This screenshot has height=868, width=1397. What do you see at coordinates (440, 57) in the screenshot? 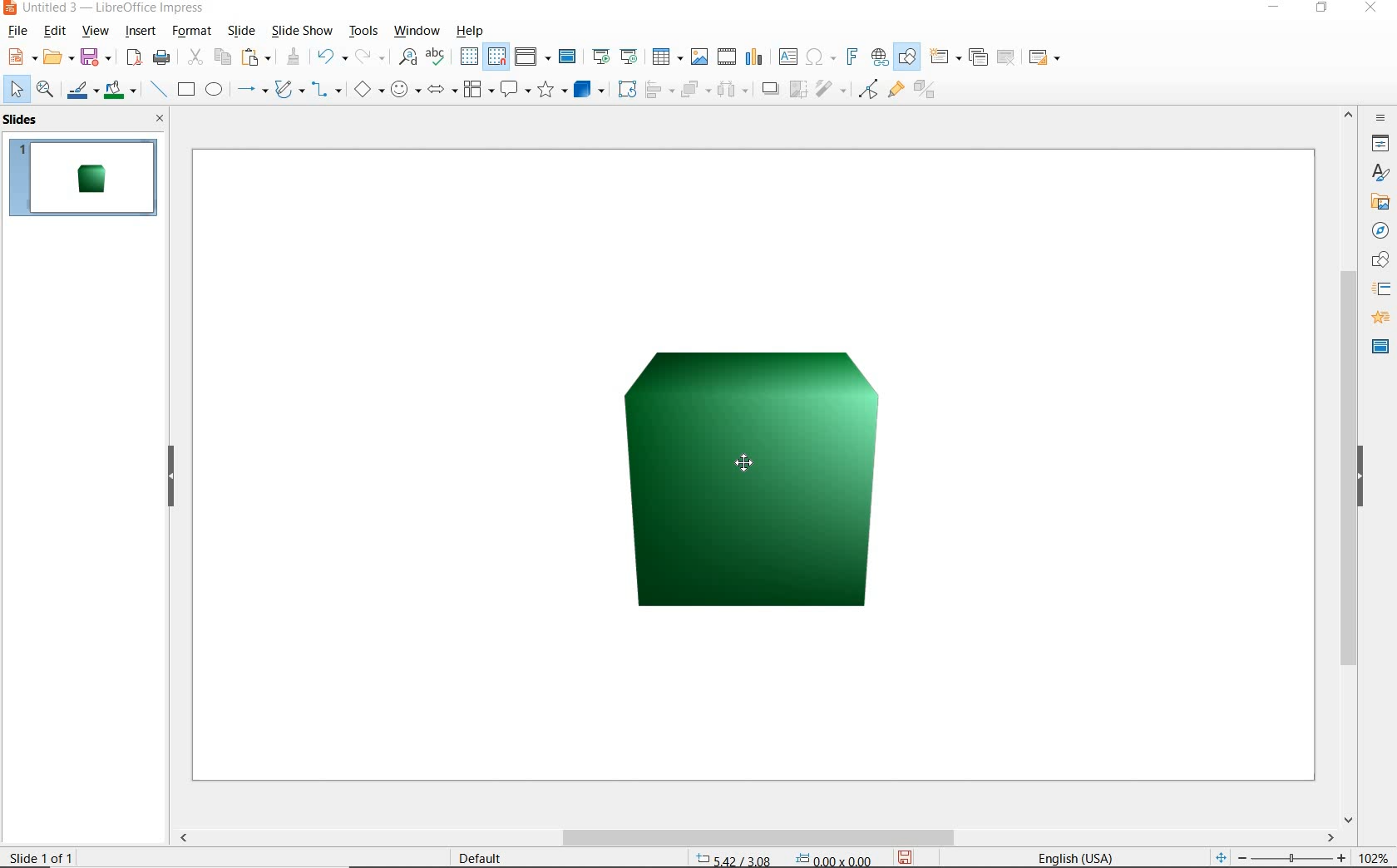
I see `spelling` at bounding box center [440, 57].